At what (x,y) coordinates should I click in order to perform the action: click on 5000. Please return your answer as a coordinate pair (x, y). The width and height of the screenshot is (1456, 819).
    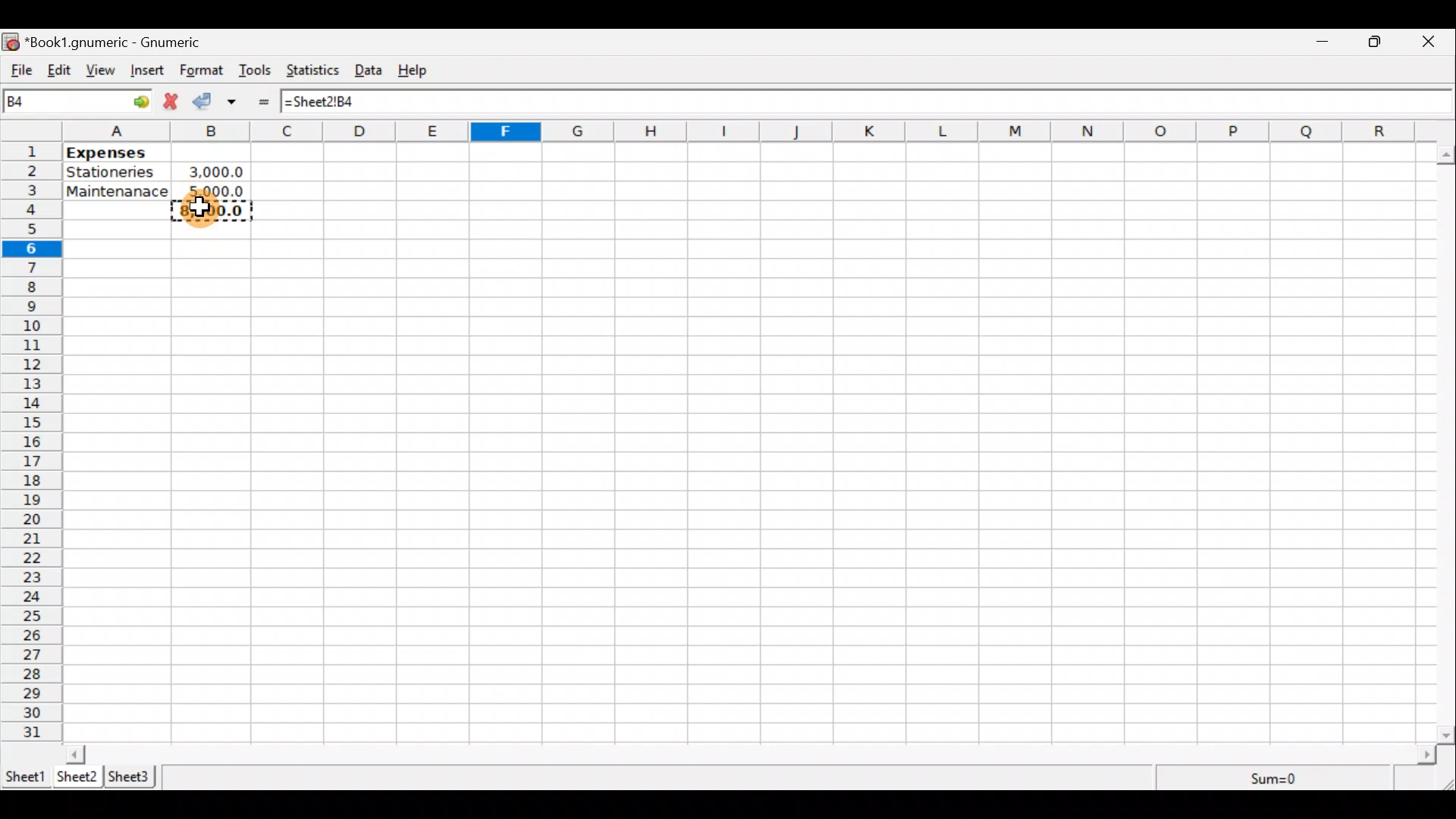
    Looking at the image, I should click on (214, 192).